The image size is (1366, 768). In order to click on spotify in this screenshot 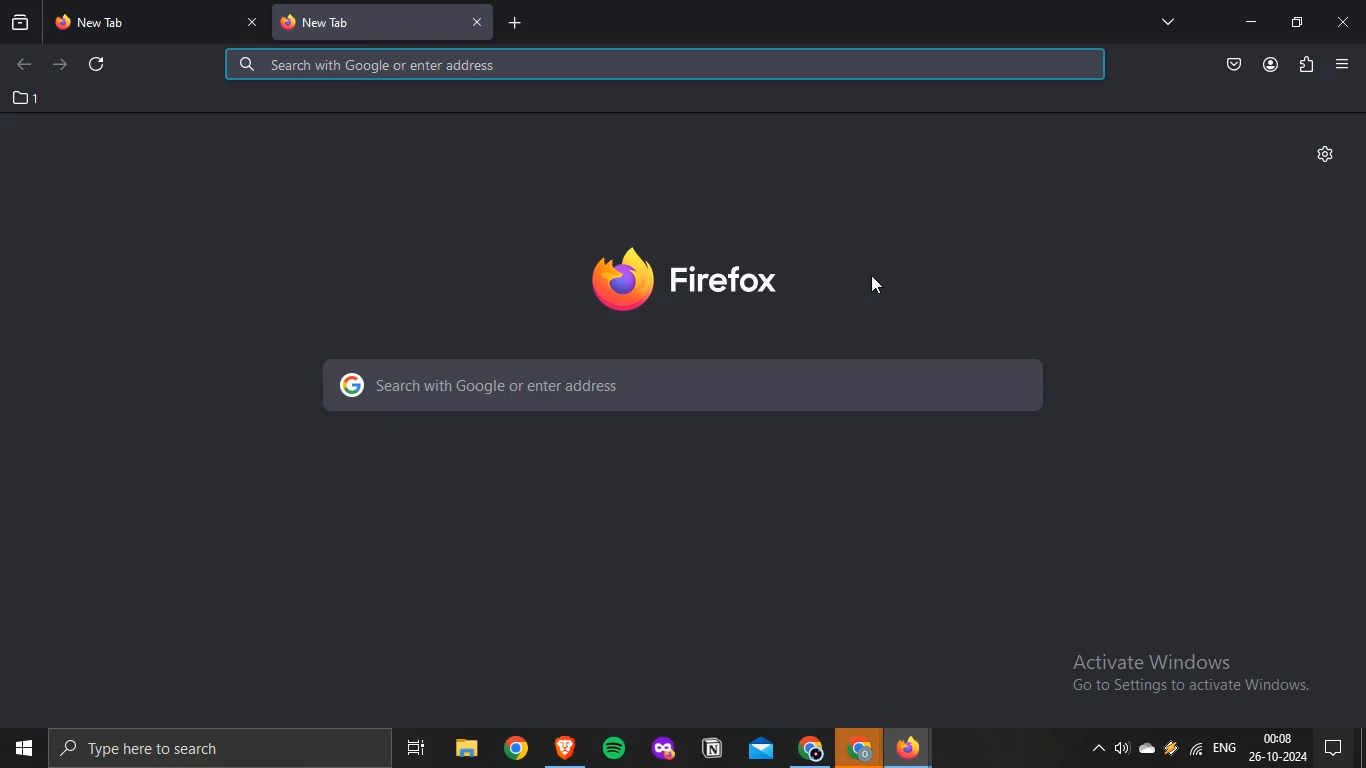, I will do `click(614, 747)`.